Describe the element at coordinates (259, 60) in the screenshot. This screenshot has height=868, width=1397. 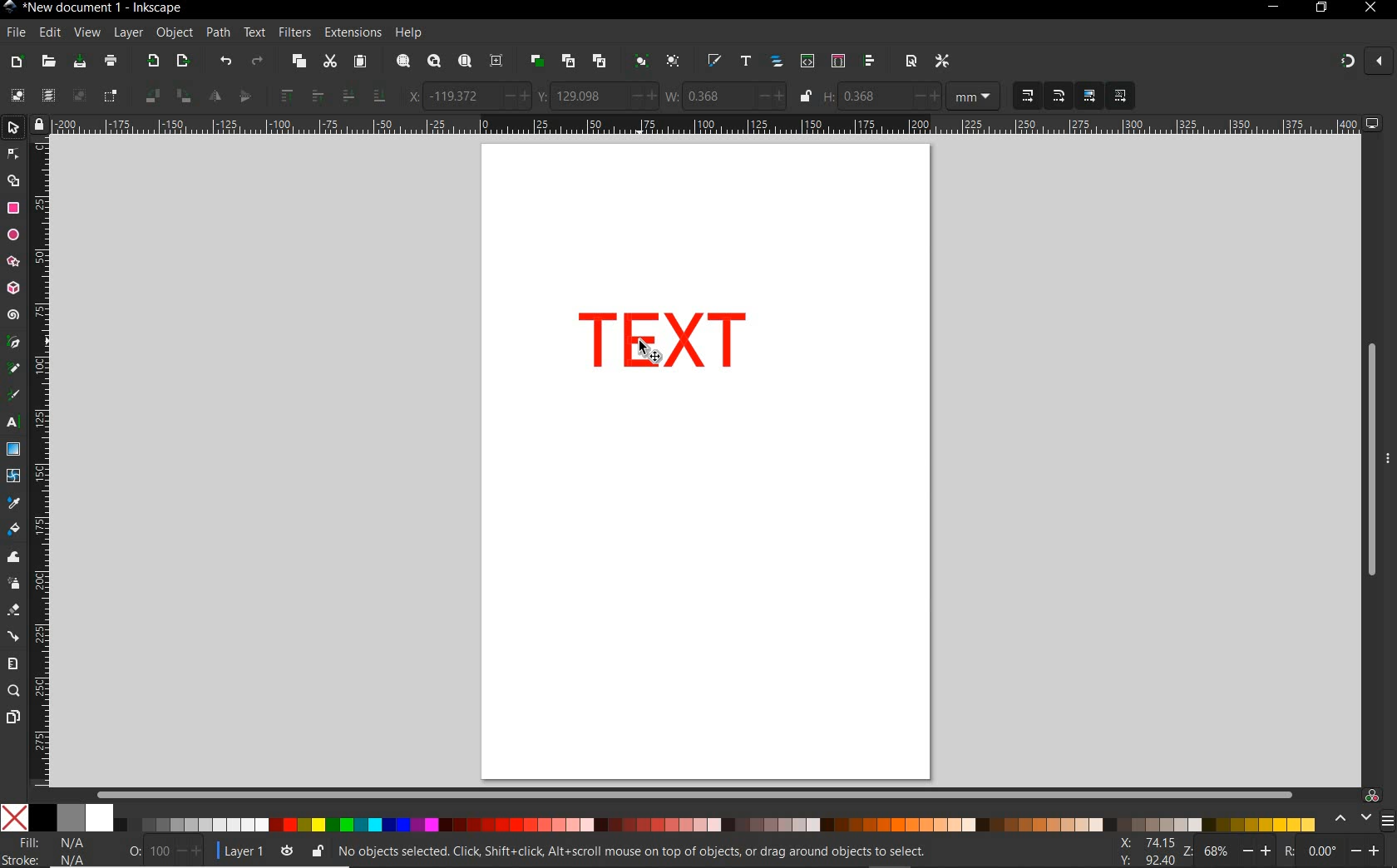
I see `REDO` at that location.